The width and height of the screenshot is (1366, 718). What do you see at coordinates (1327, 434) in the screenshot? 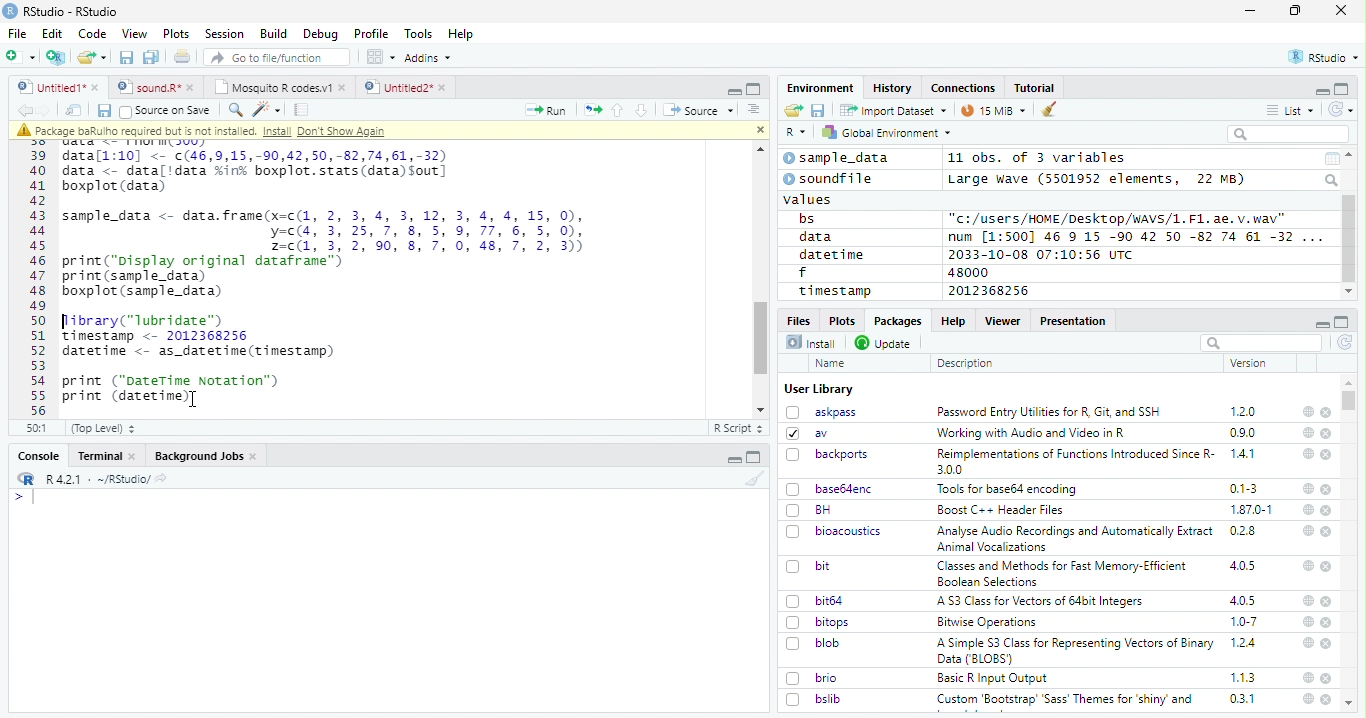
I see `close` at bounding box center [1327, 434].